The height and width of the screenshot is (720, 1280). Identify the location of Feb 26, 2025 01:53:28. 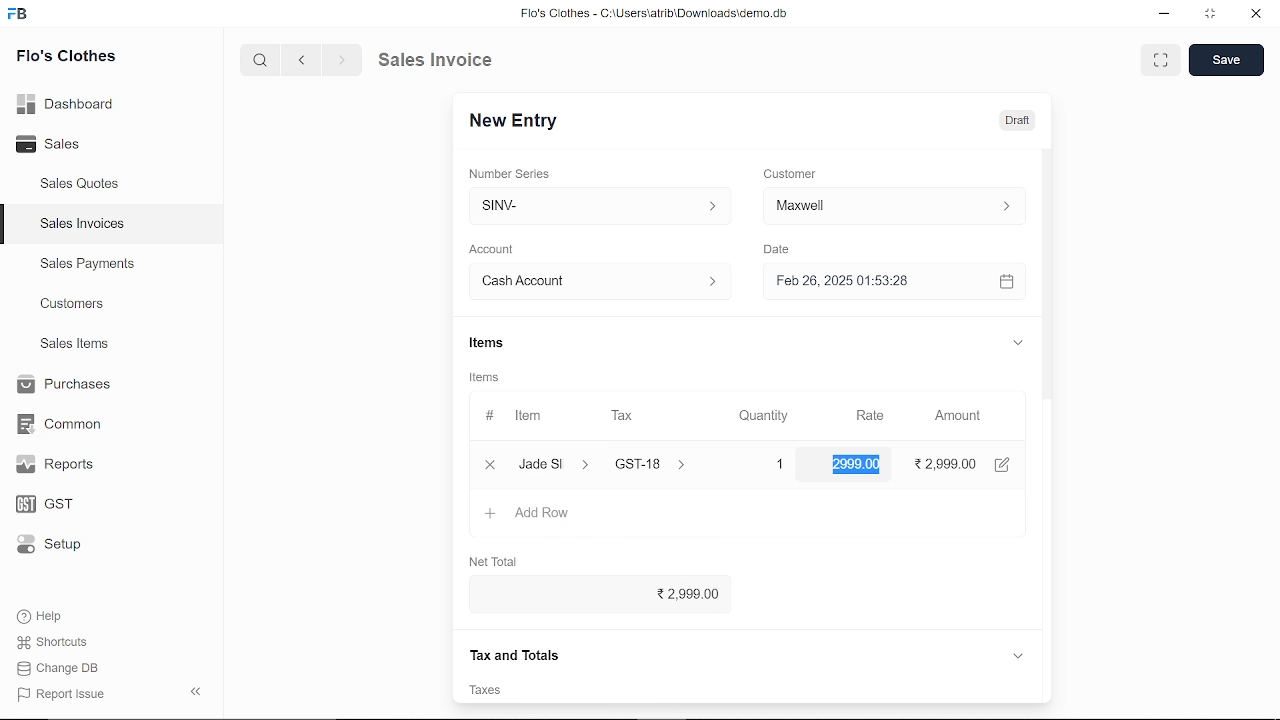
(870, 282).